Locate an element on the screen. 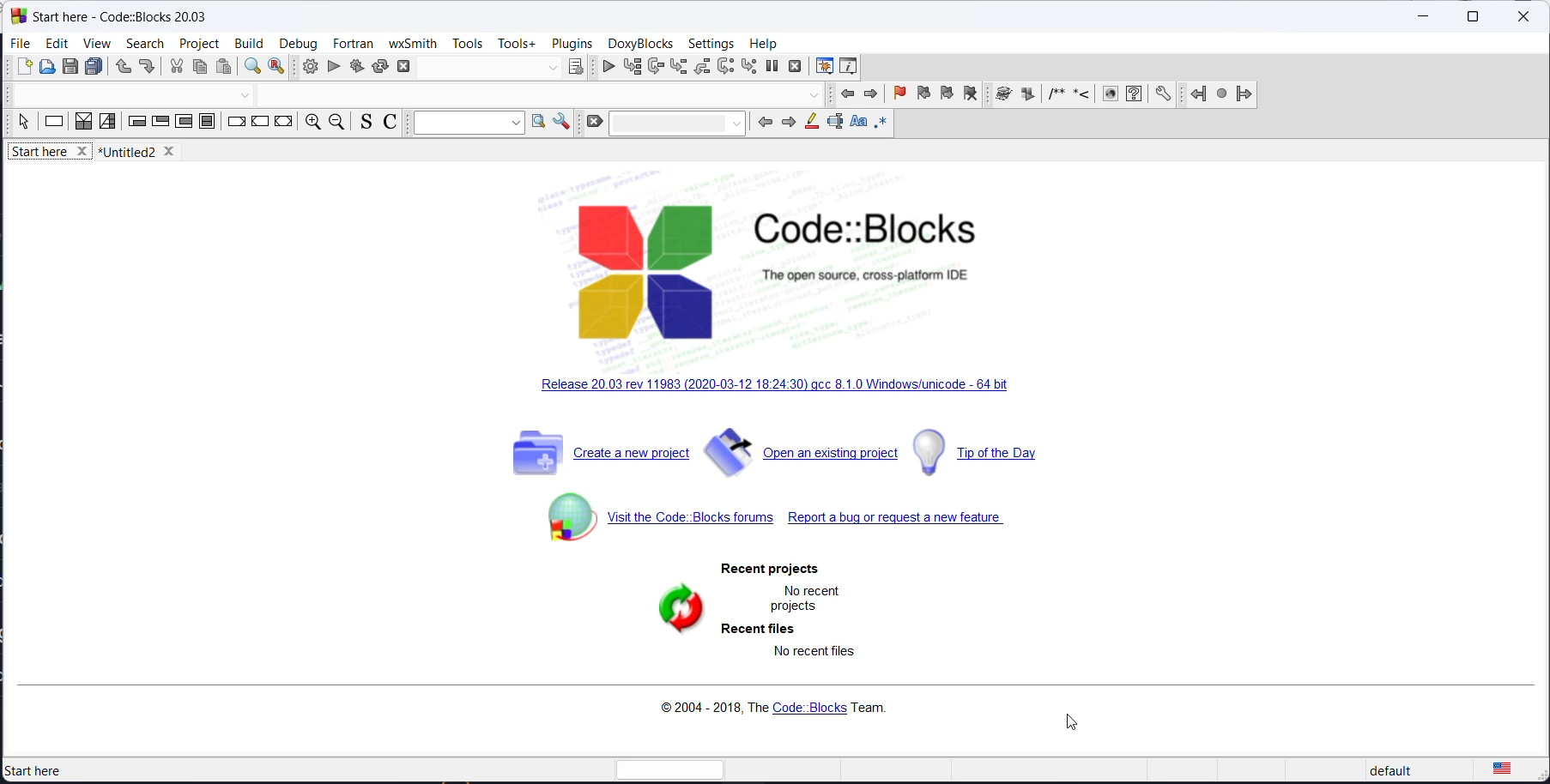 Image resolution: width=1550 pixels, height=784 pixels. back is located at coordinates (763, 122).